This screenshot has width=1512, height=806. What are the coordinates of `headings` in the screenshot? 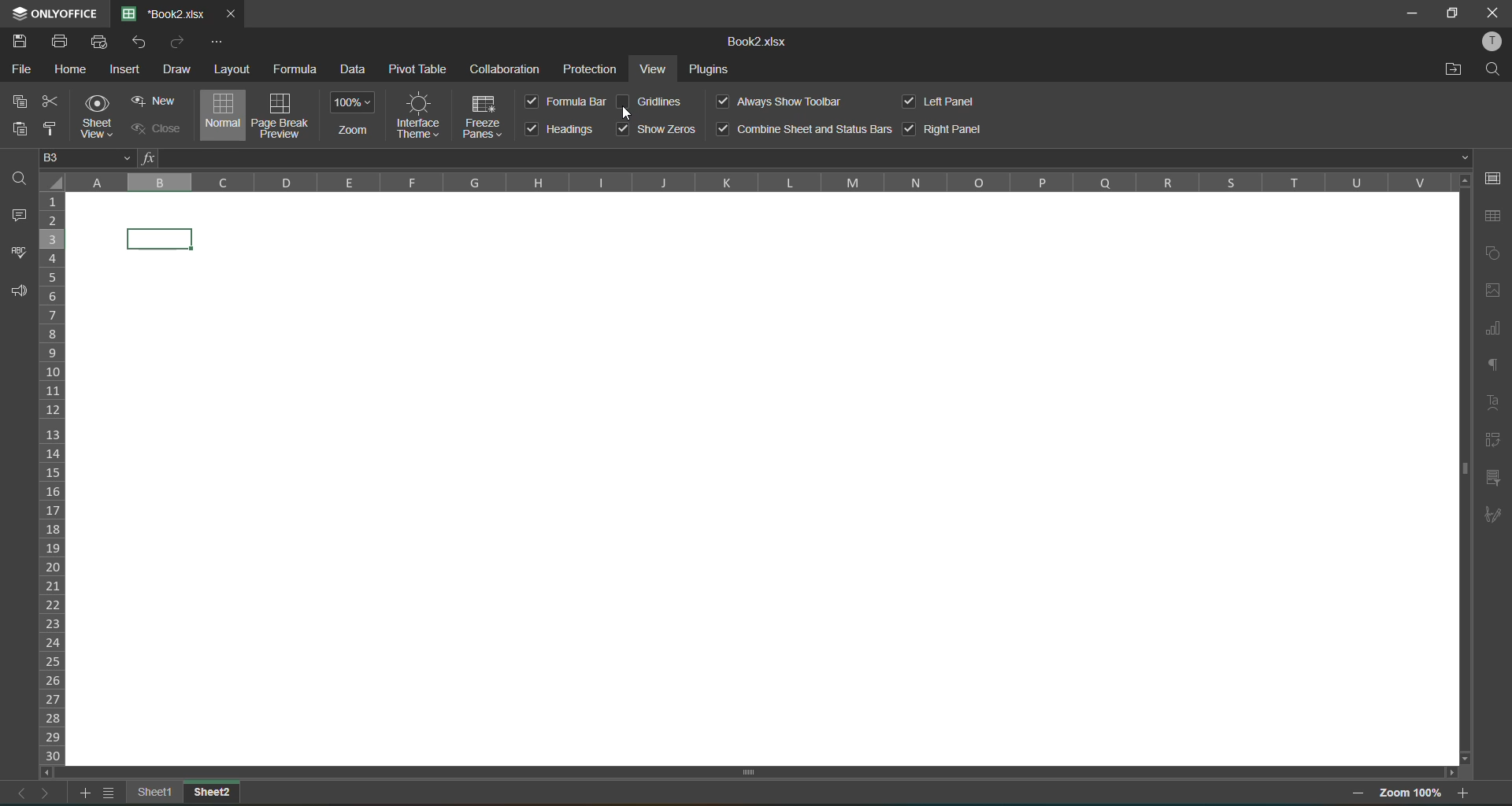 It's located at (562, 129).